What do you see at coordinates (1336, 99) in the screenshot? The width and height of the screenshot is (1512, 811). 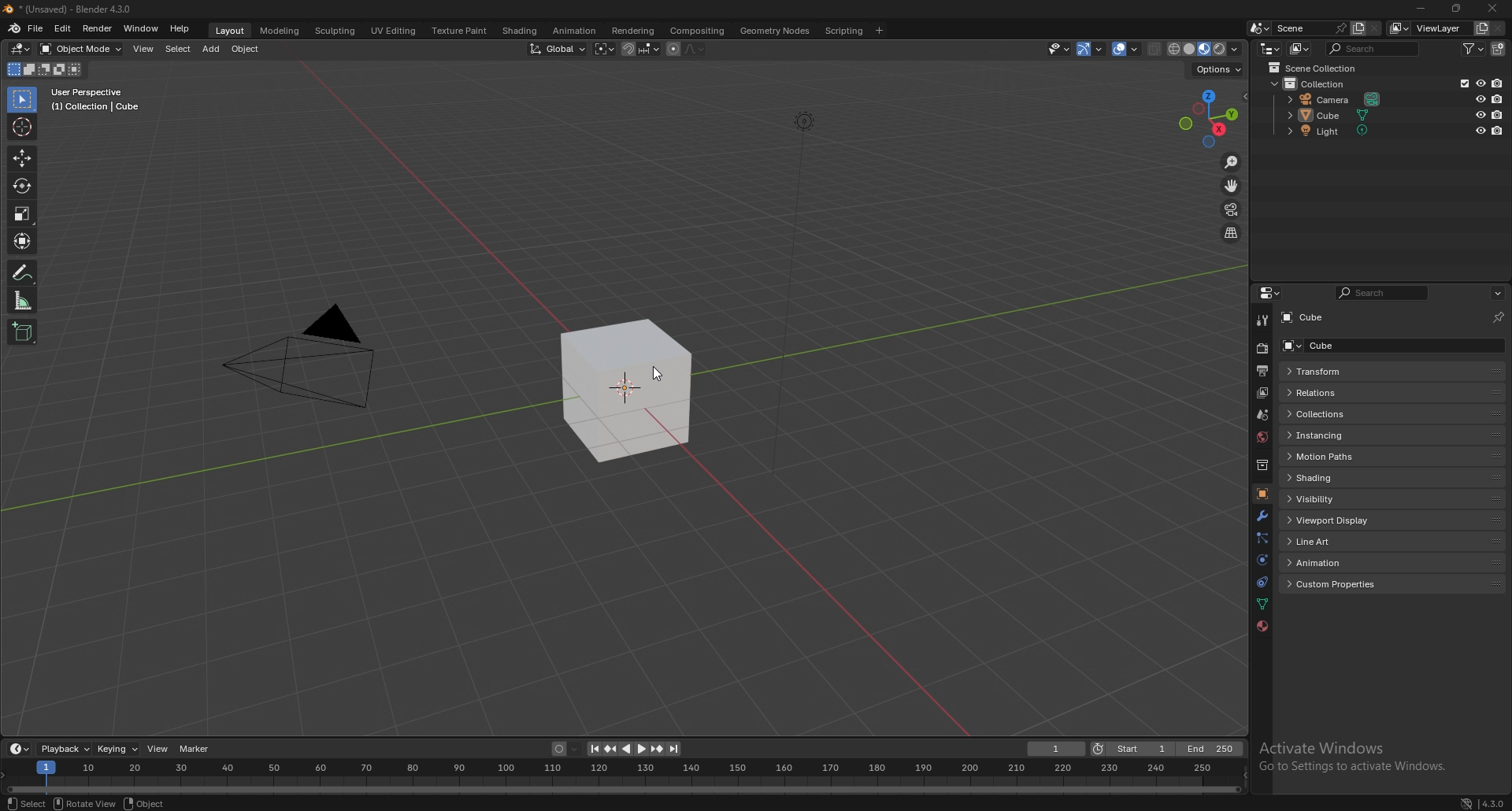 I see `camera` at bounding box center [1336, 99].